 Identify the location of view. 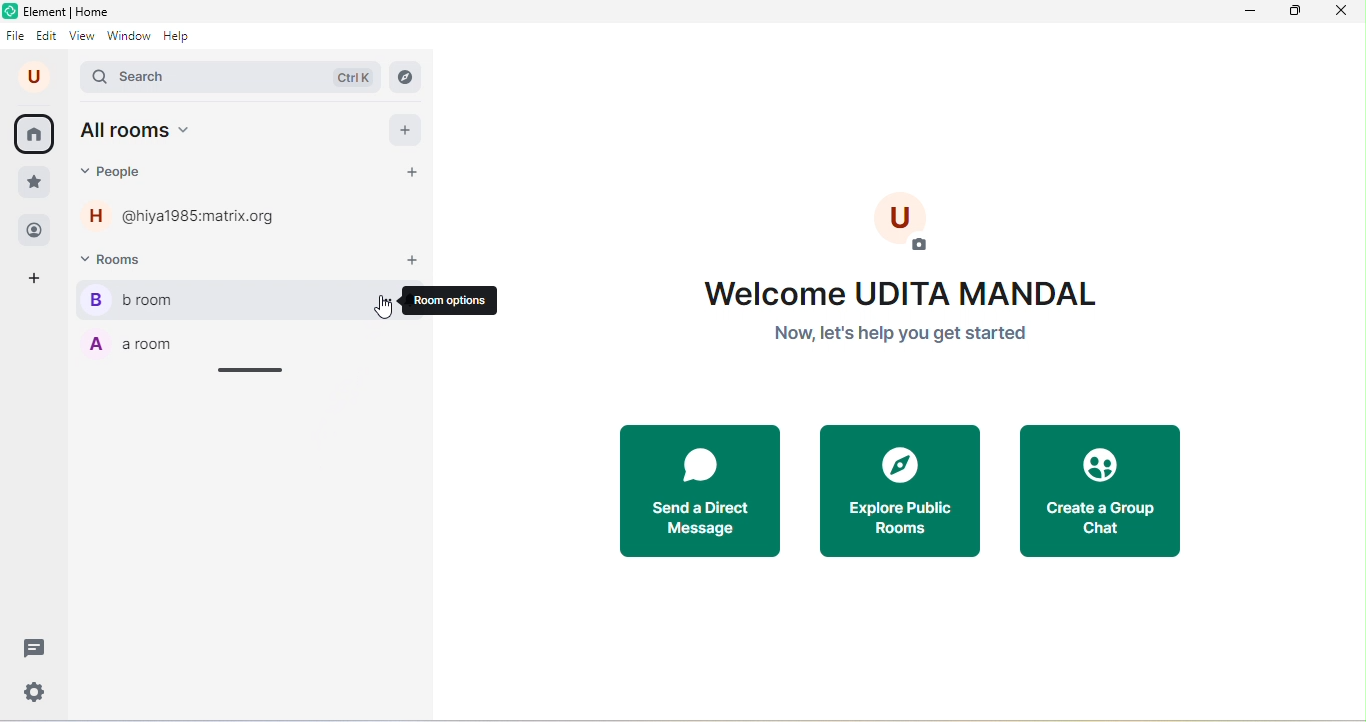
(80, 36).